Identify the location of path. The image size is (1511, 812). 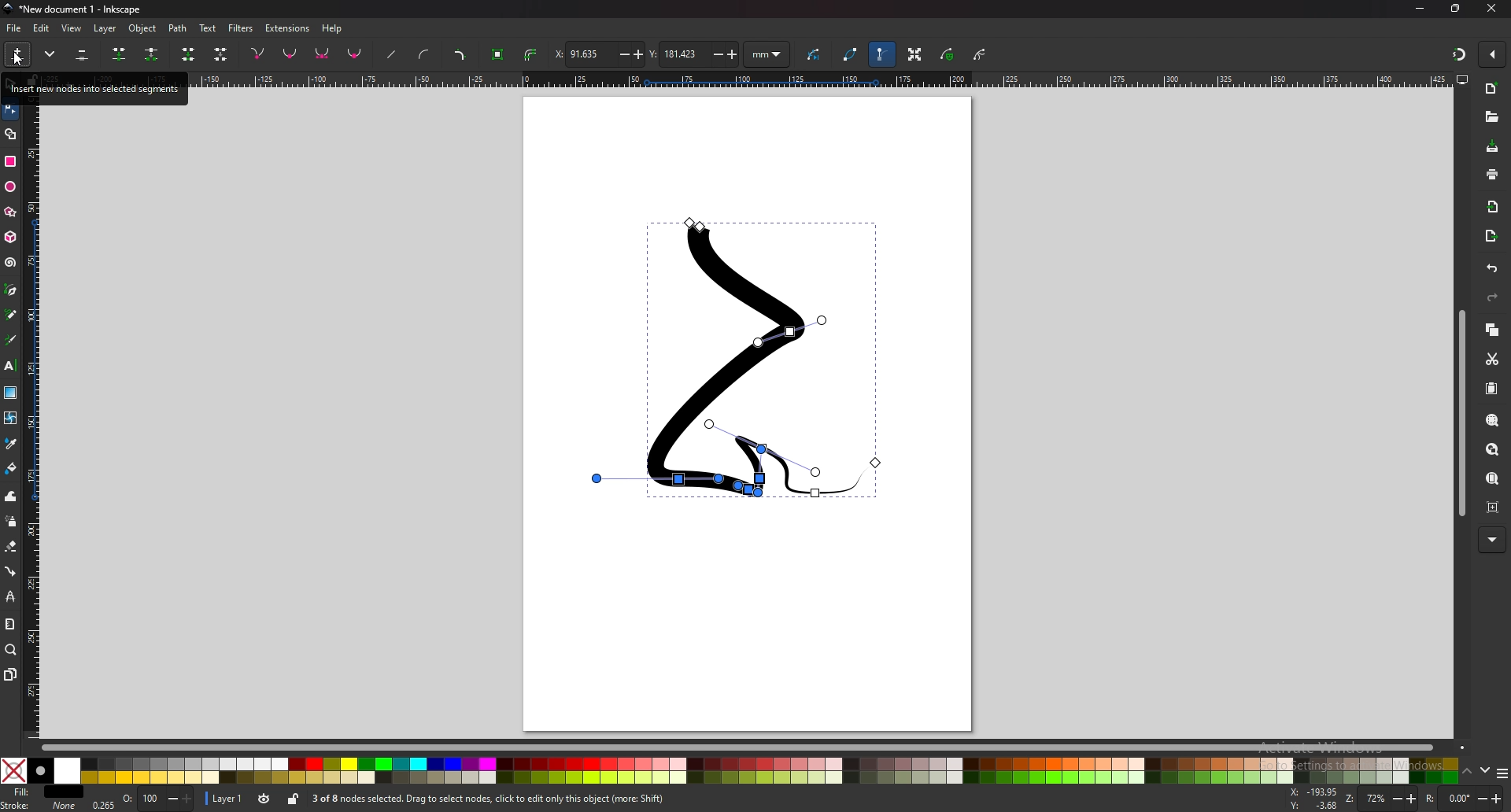
(178, 28).